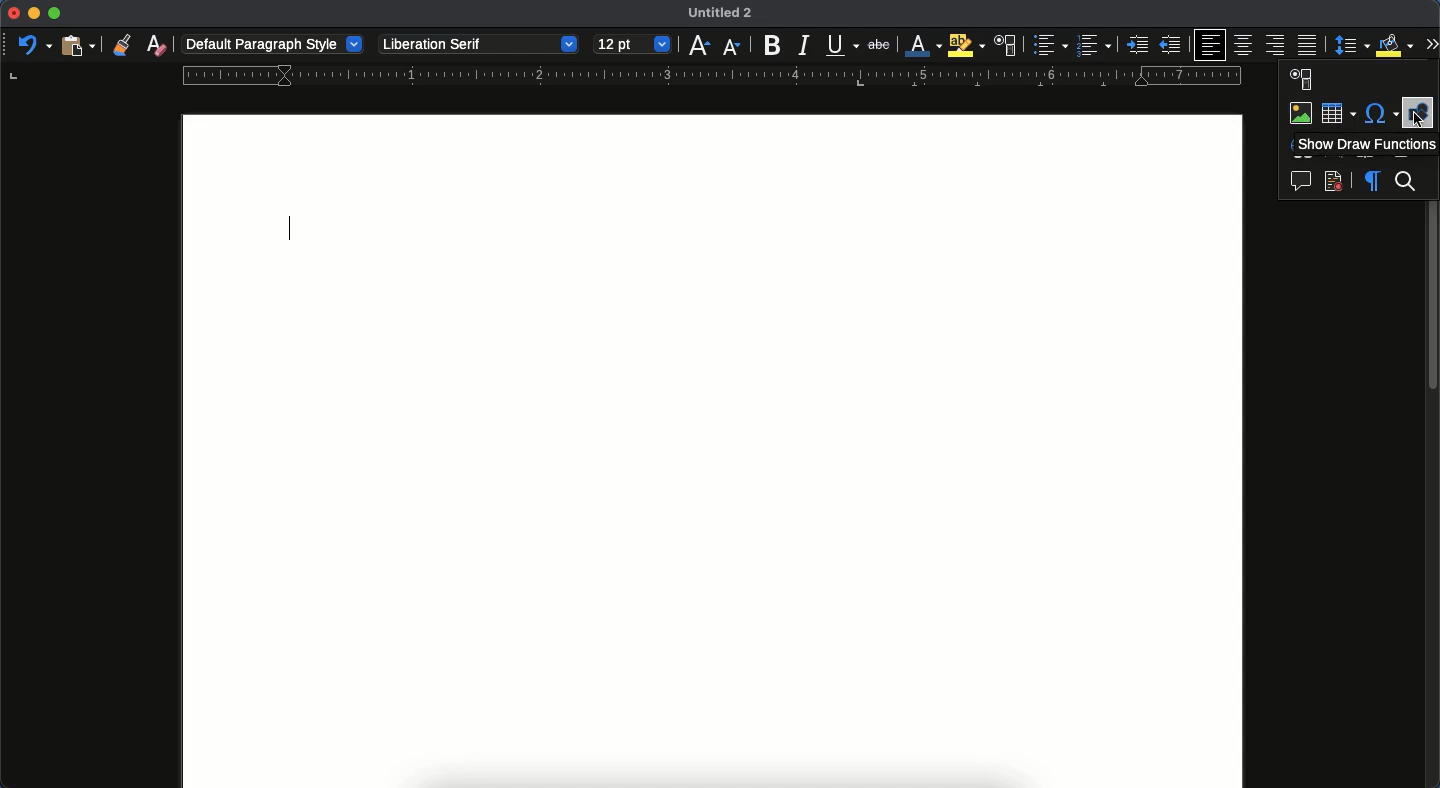 The image size is (1440, 788). Describe the element at coordinates (76, 45) in the screenshot. I see `paste` at that location.